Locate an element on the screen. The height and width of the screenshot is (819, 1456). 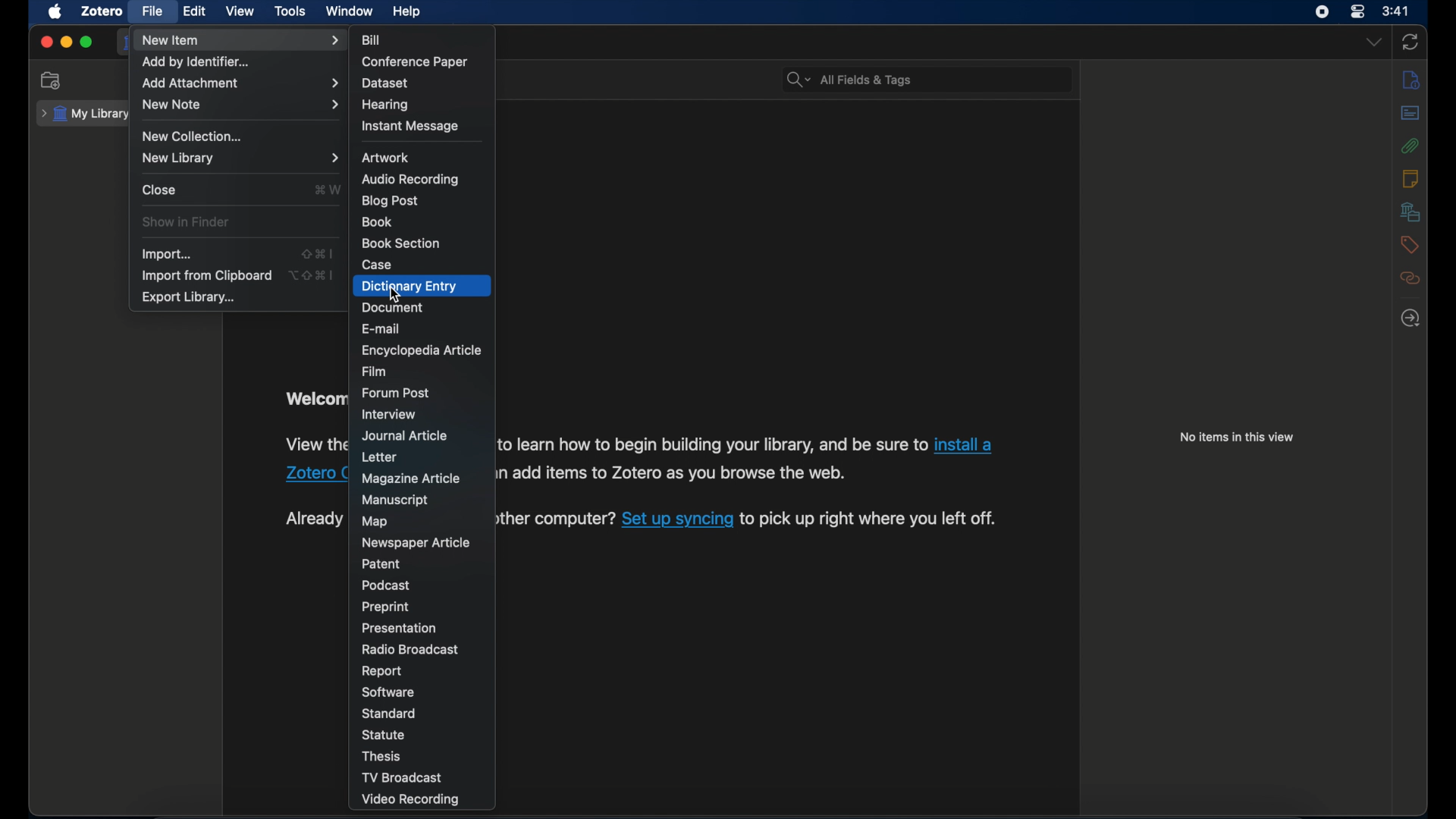
newspaper article is located at coordinates (418, 544).